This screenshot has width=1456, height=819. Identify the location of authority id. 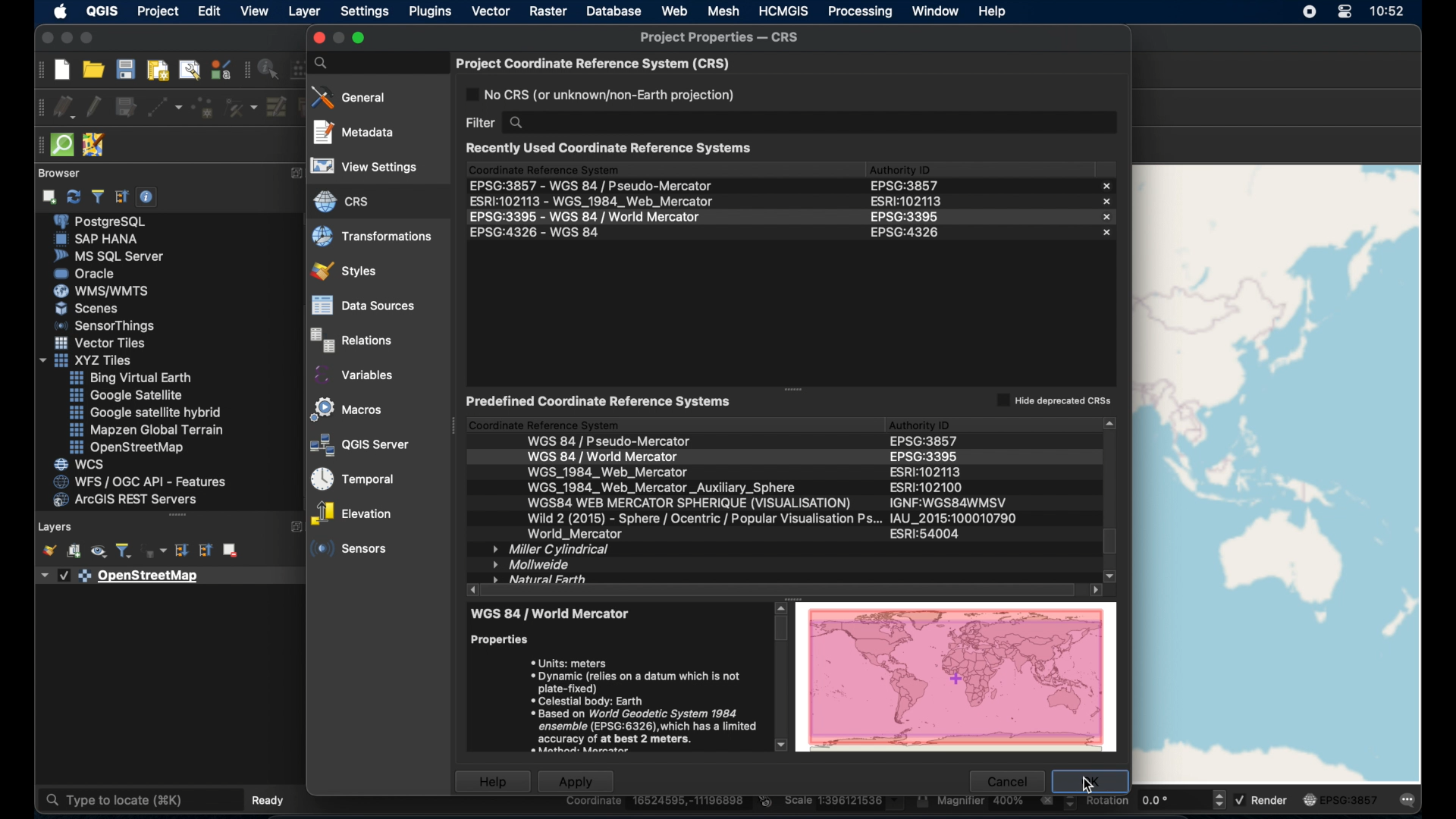
(924, 472).